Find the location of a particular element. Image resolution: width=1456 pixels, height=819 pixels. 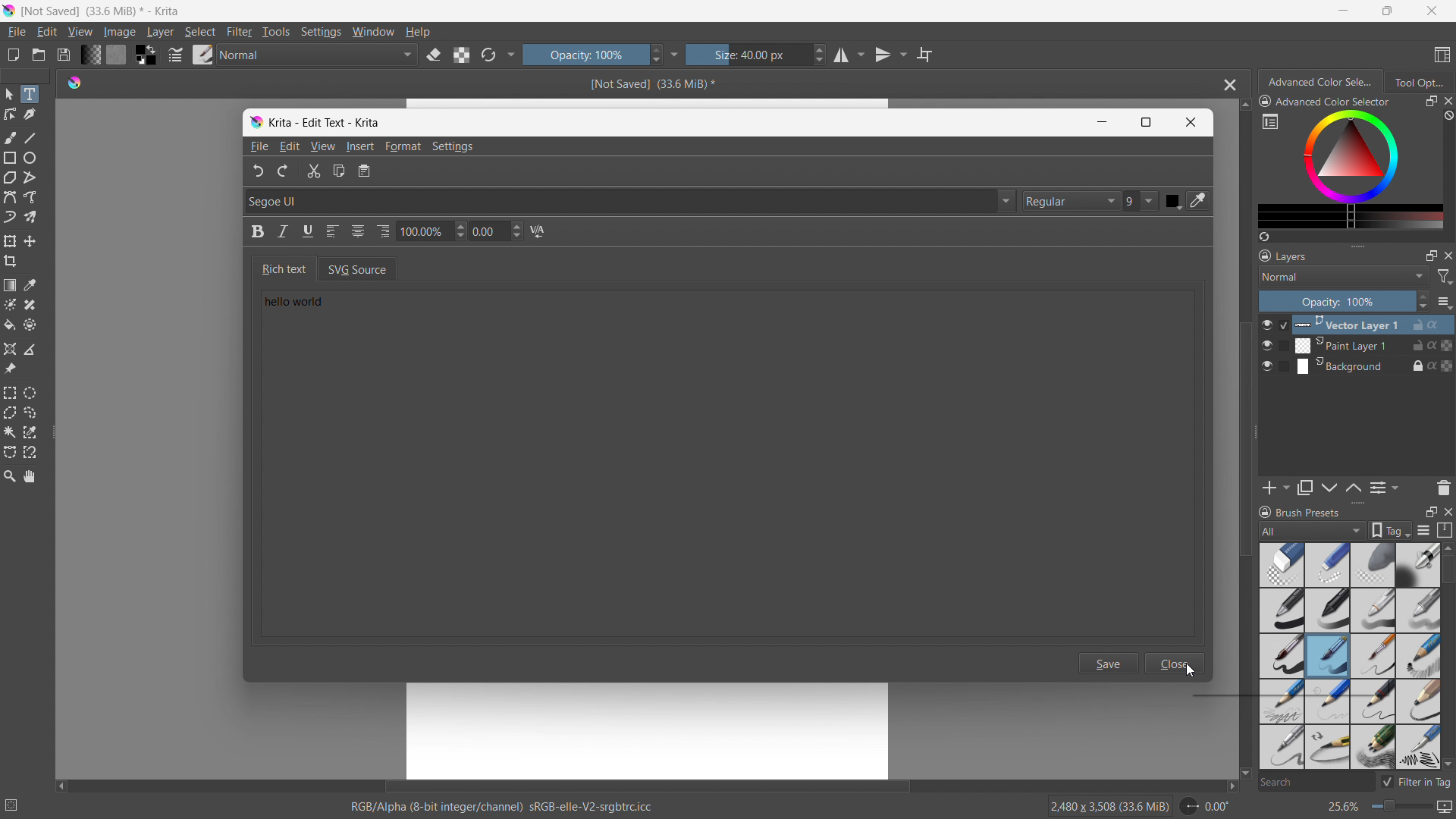

vertical mirror tool is located at coordinates (888, 55).